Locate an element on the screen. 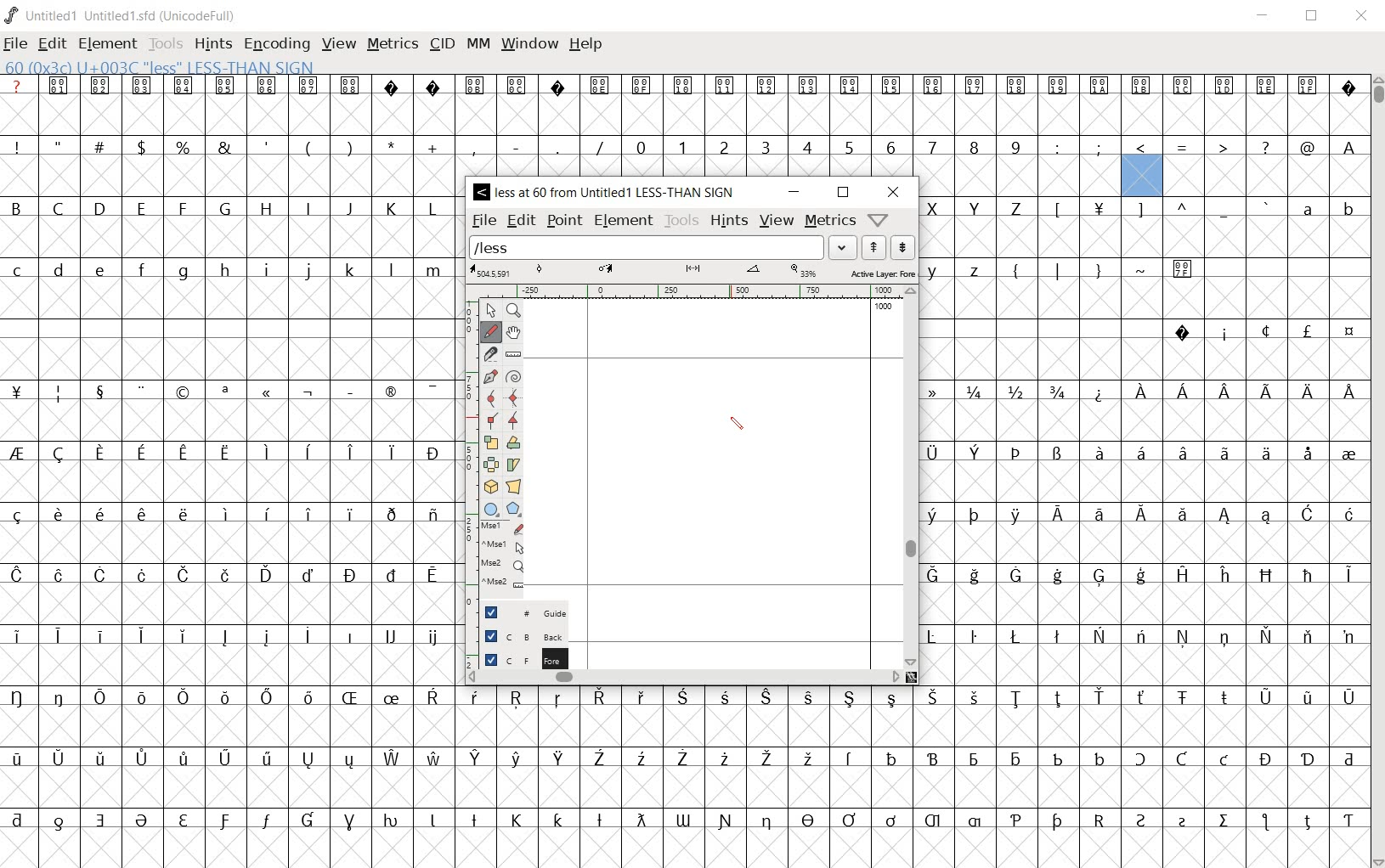 The height and width of the screenshot is (868, 1385). polygon or star is located at coordinates (514, 509).